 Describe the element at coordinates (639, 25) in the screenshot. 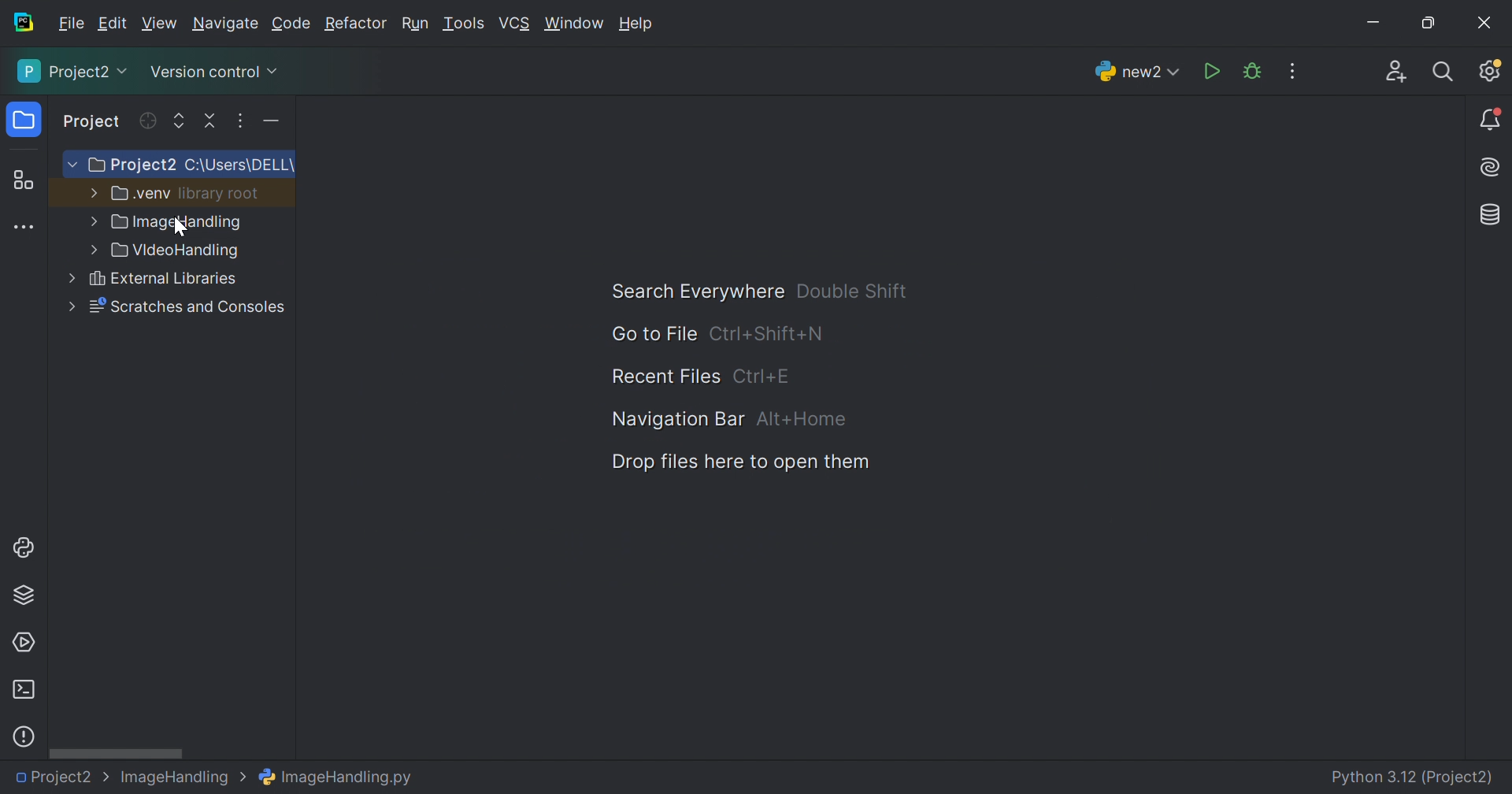

I see `Help` at that location.